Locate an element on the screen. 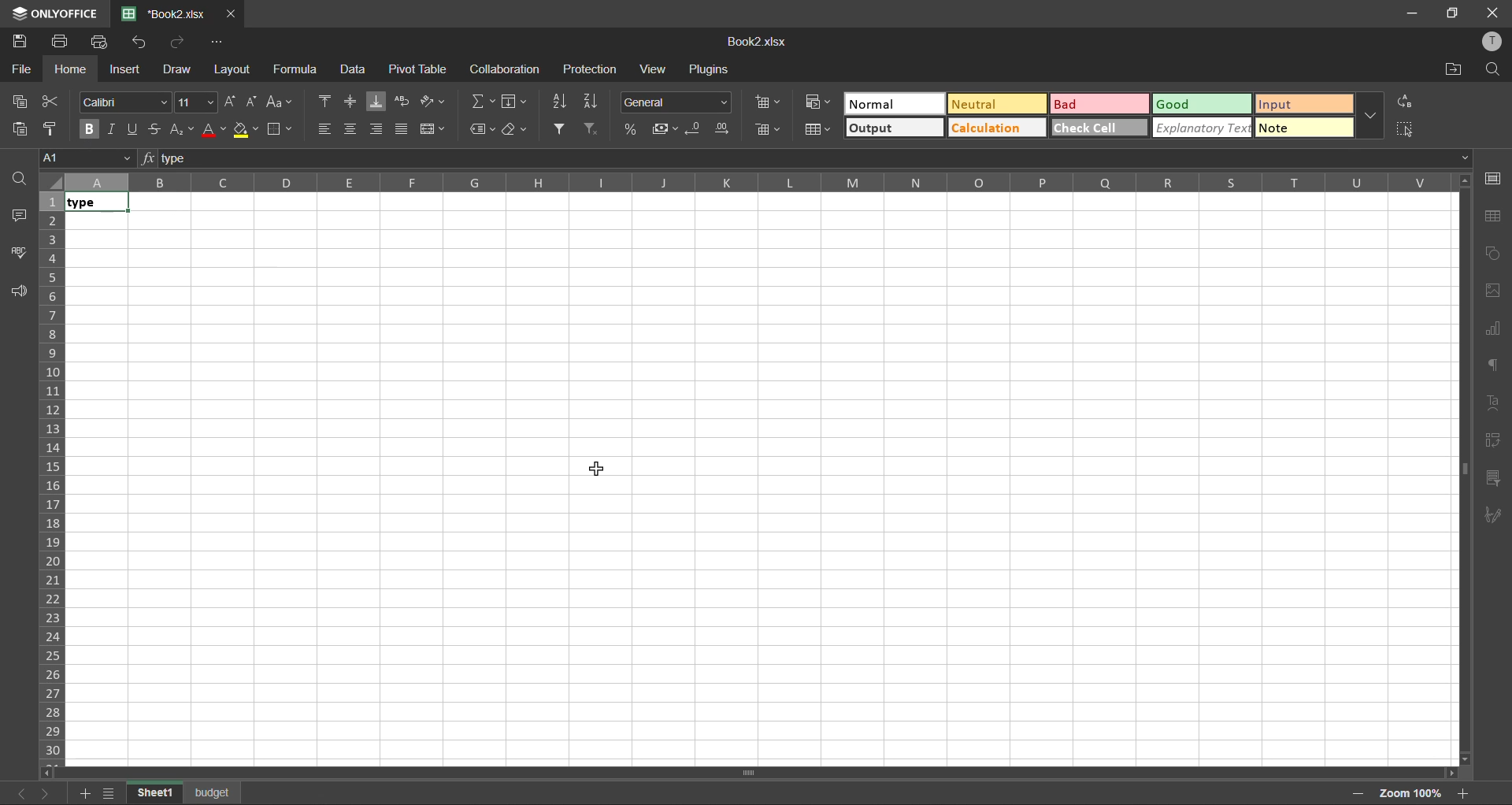 The width and height of the screenshot is (1512, 805). accounting is located at coordinates (665, 130).